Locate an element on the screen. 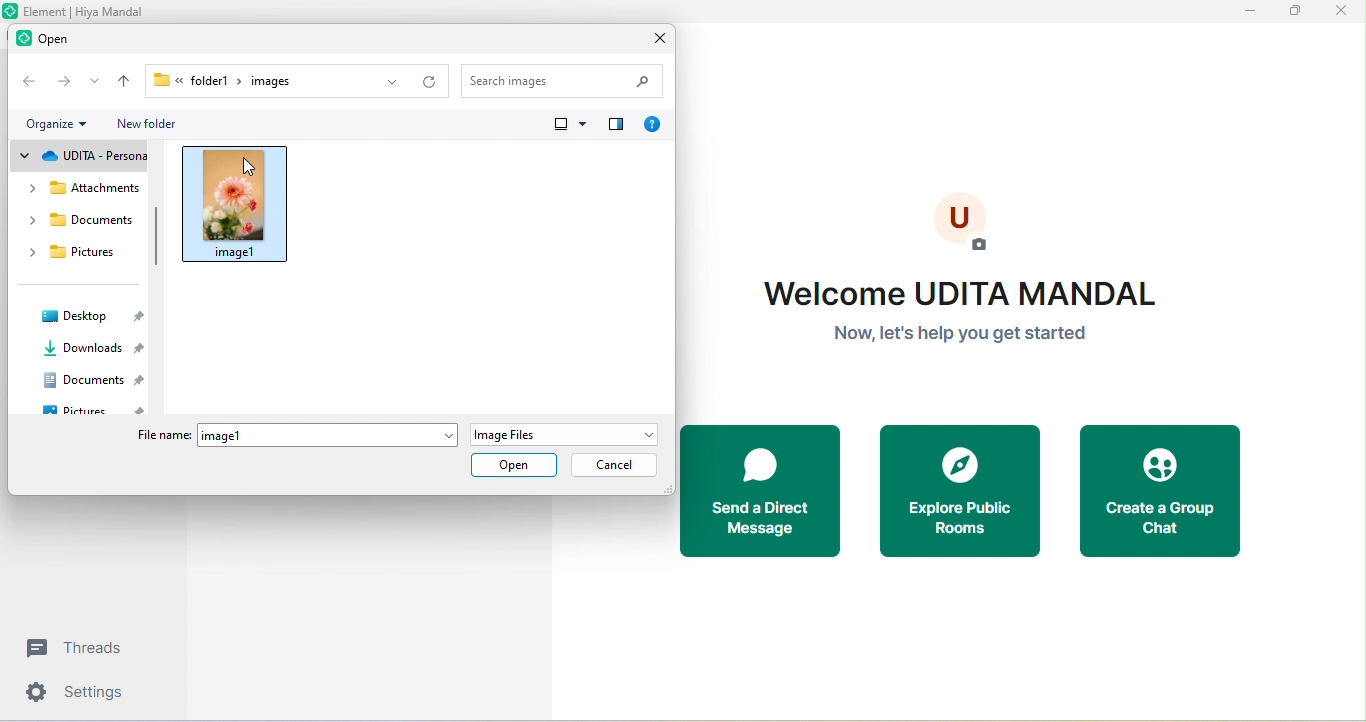 The height and width of the screenshot is (722, 1366). new folder is located at coordinates (152, 126).